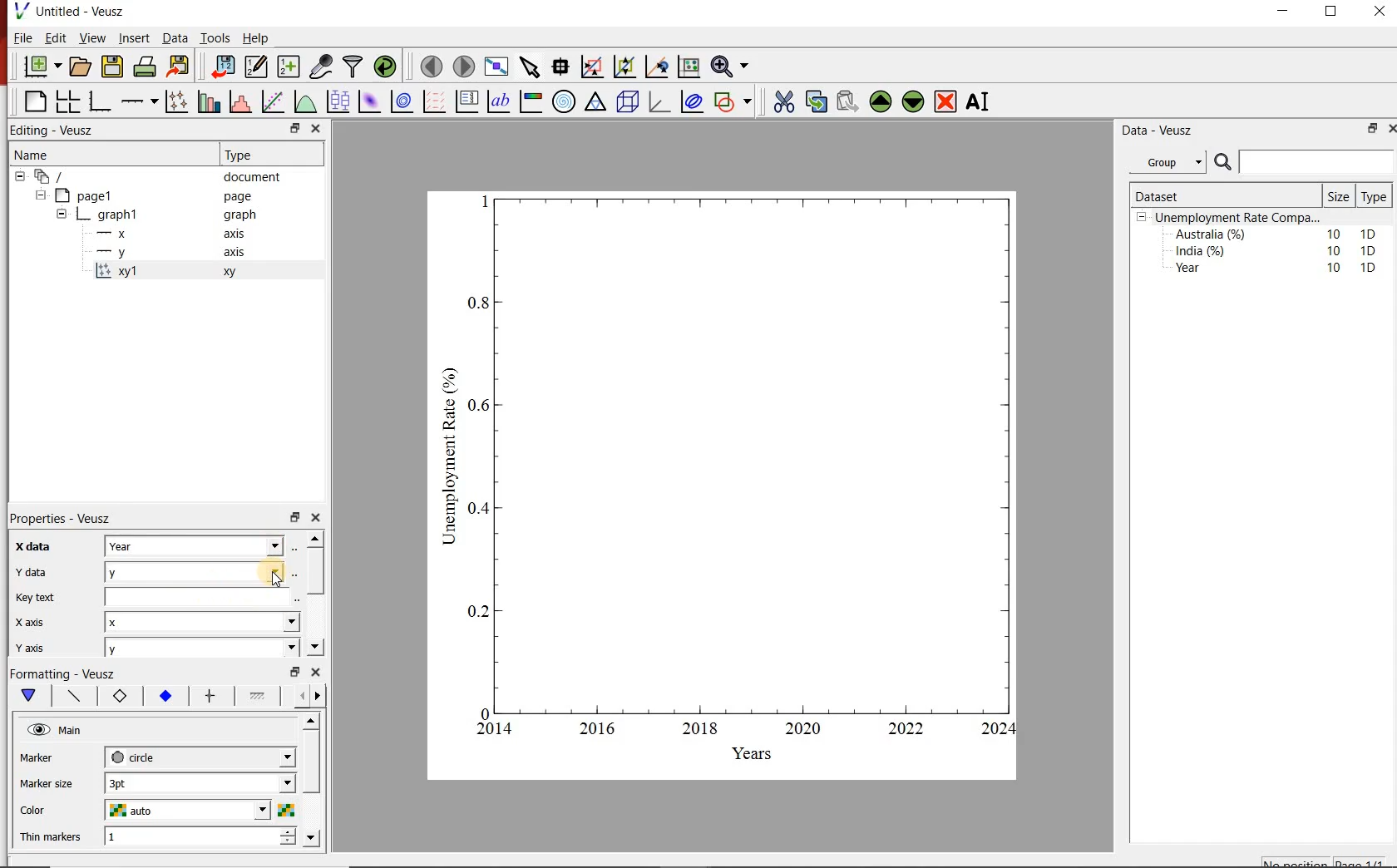  Describe the element at coordinates (48, 760) in the screenshot. I see `MArker` at that location.